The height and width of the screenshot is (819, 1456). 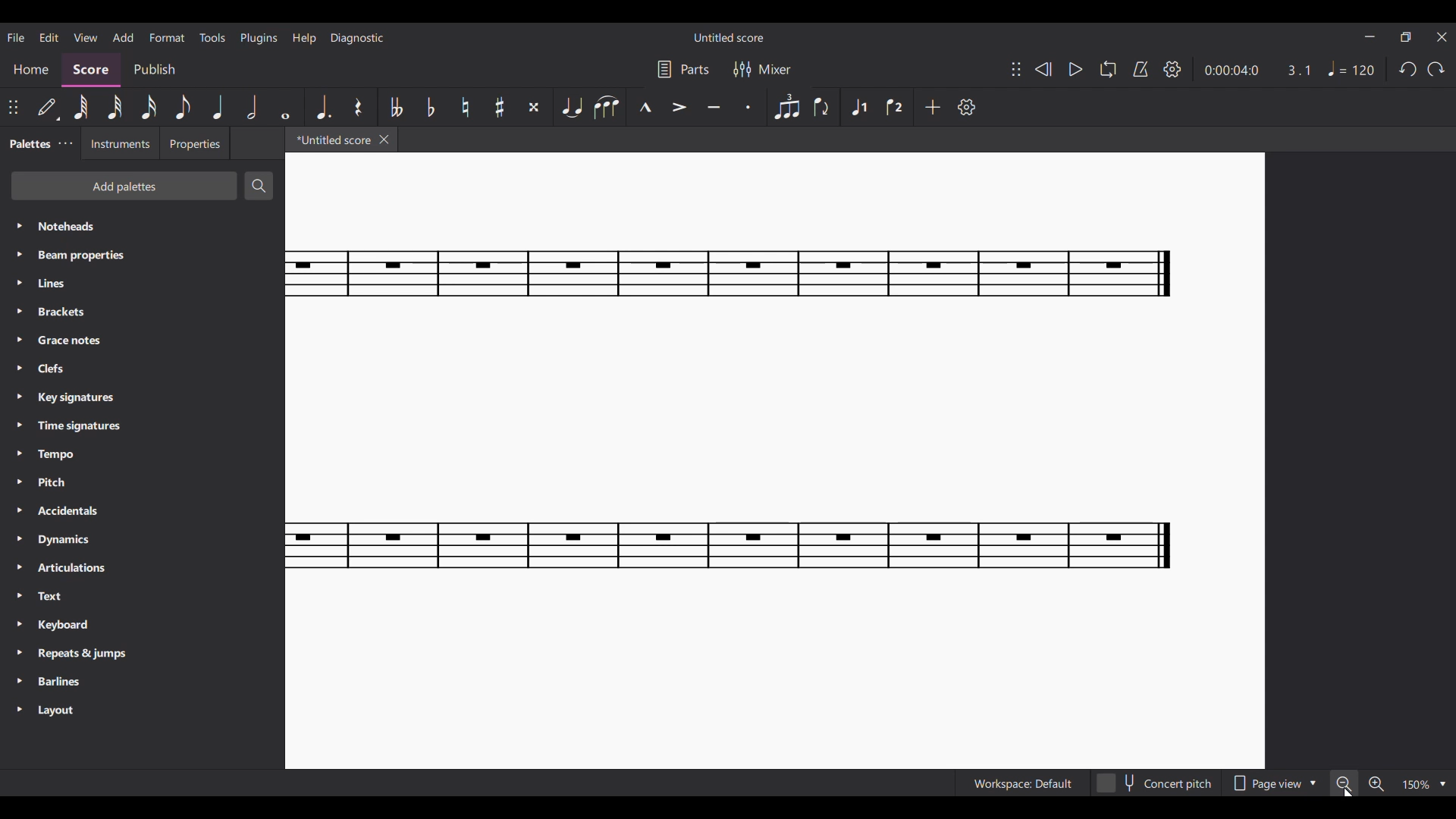 I want to click on Settings, so click(x=1173, y=69).